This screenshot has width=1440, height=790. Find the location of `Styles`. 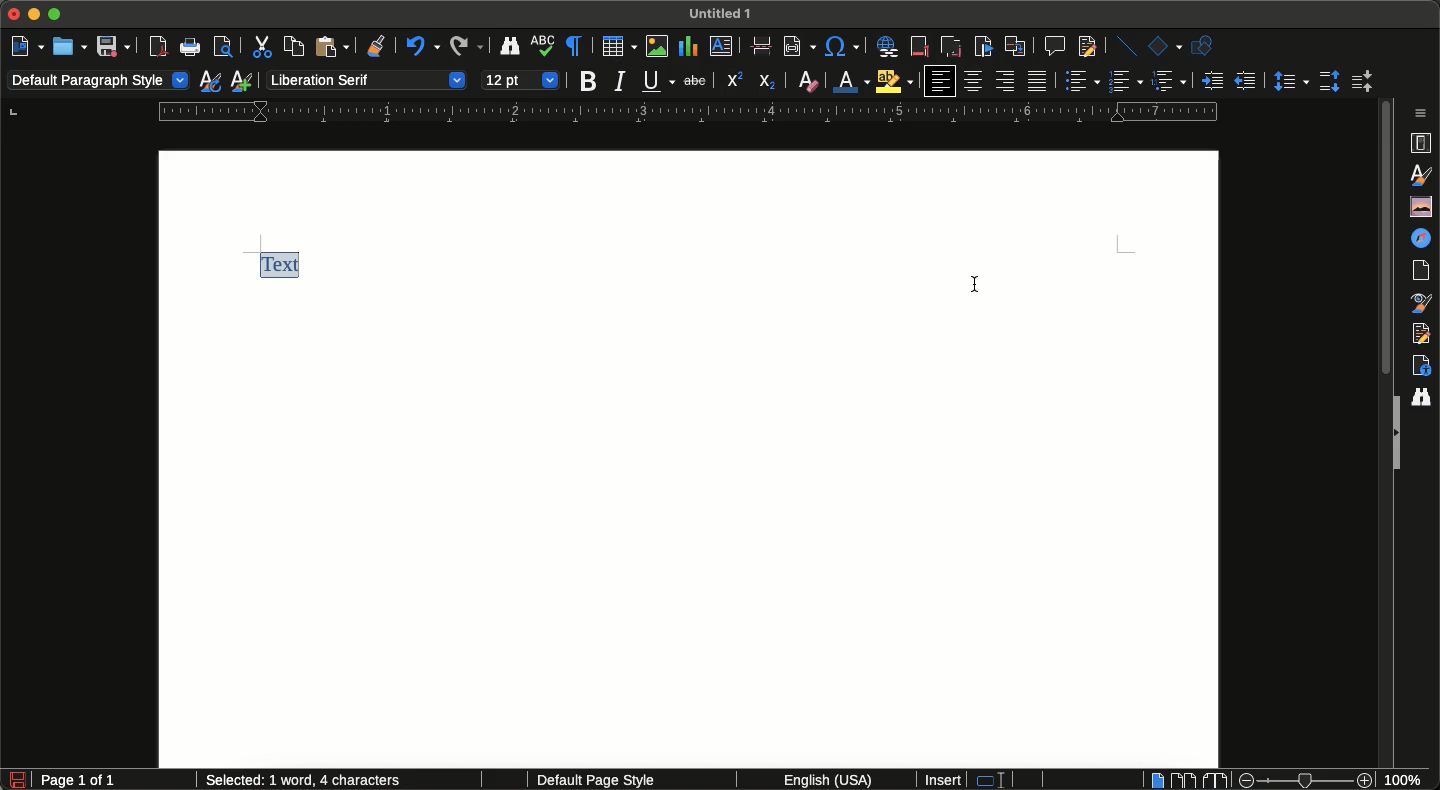

Styles is located at coordinates (1423, 175).